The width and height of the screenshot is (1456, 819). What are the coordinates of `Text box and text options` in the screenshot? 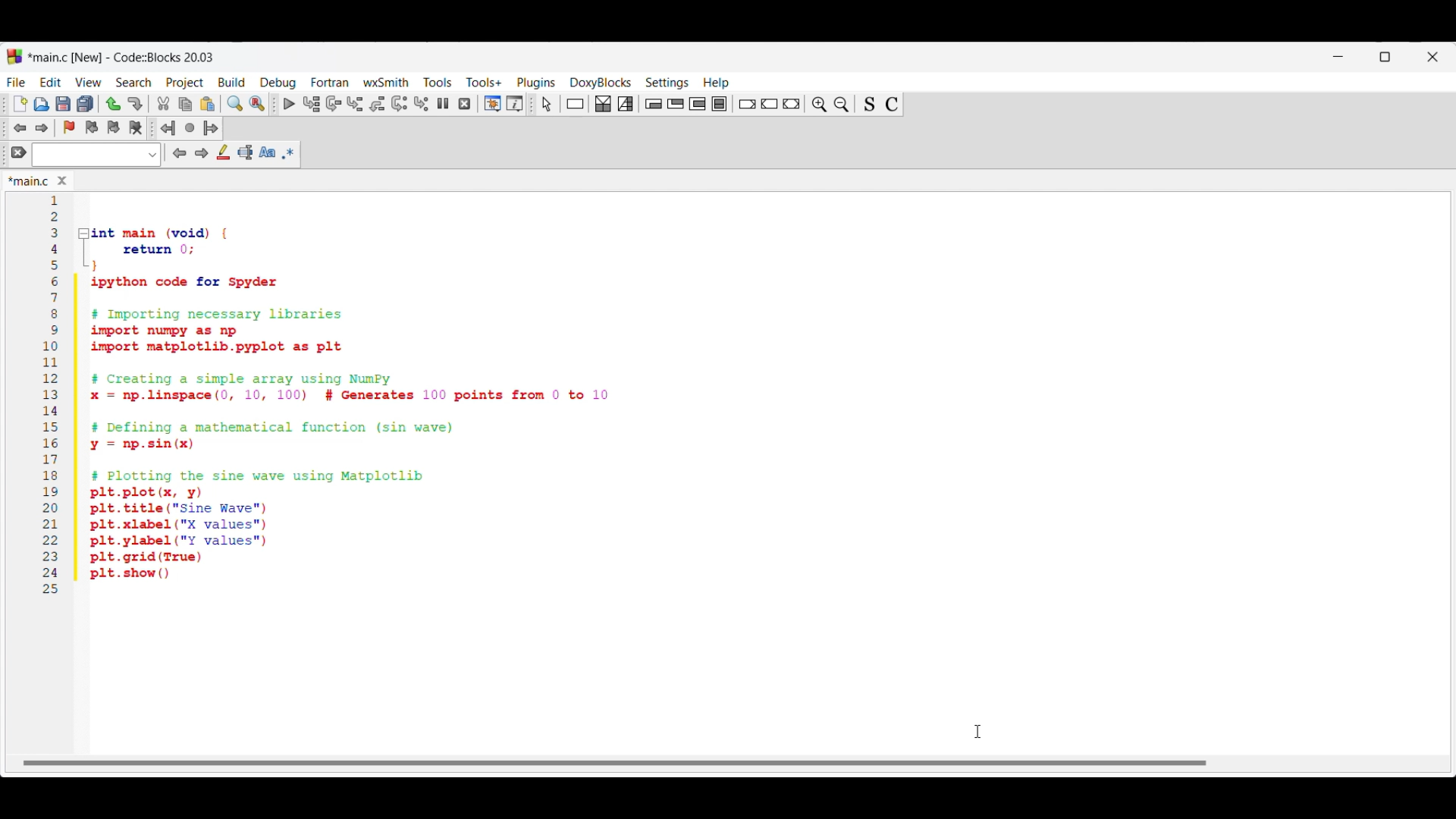 It's located at (96, 155).